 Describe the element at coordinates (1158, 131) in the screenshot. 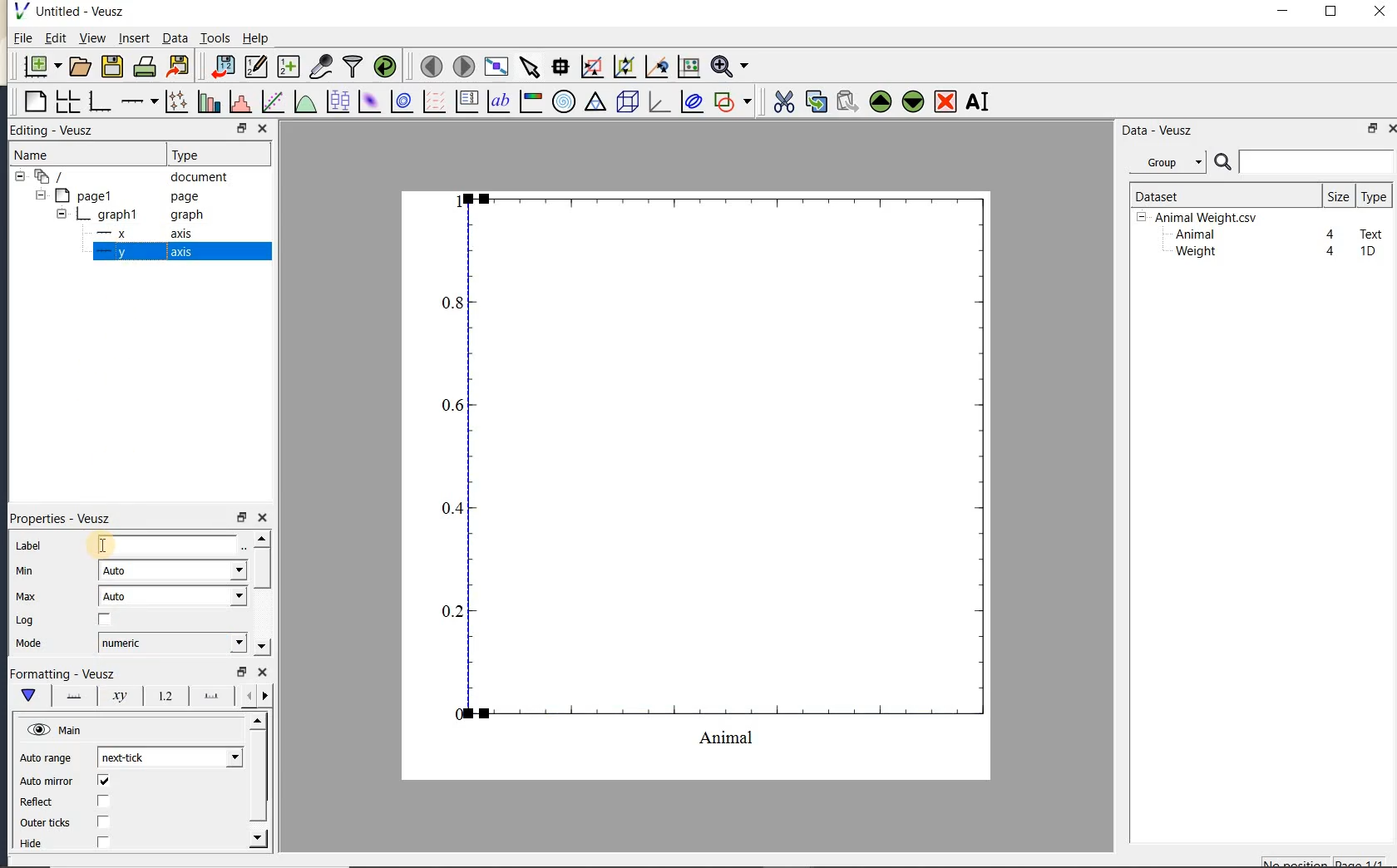

I see `Data-Veusz` at that location.